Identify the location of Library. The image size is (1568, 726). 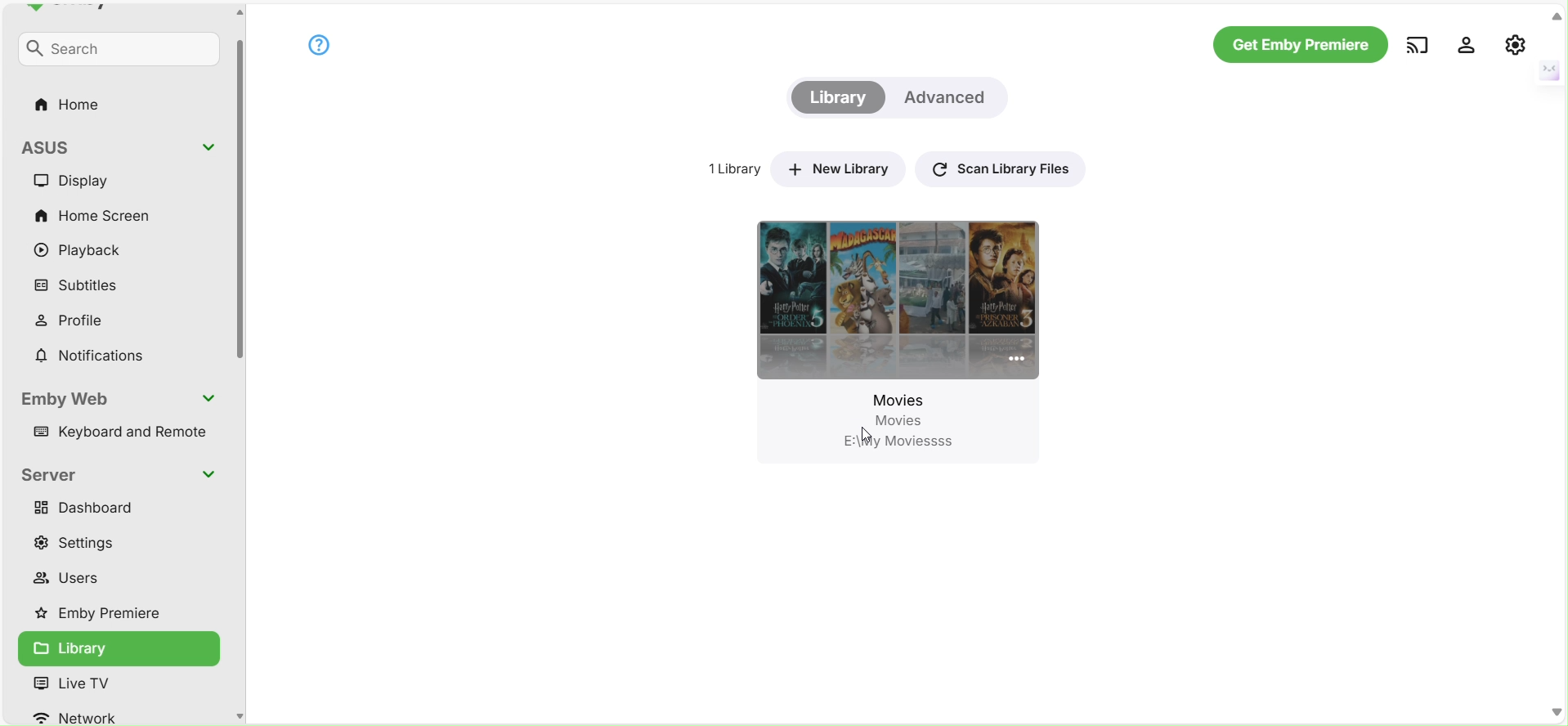
(836, 98).